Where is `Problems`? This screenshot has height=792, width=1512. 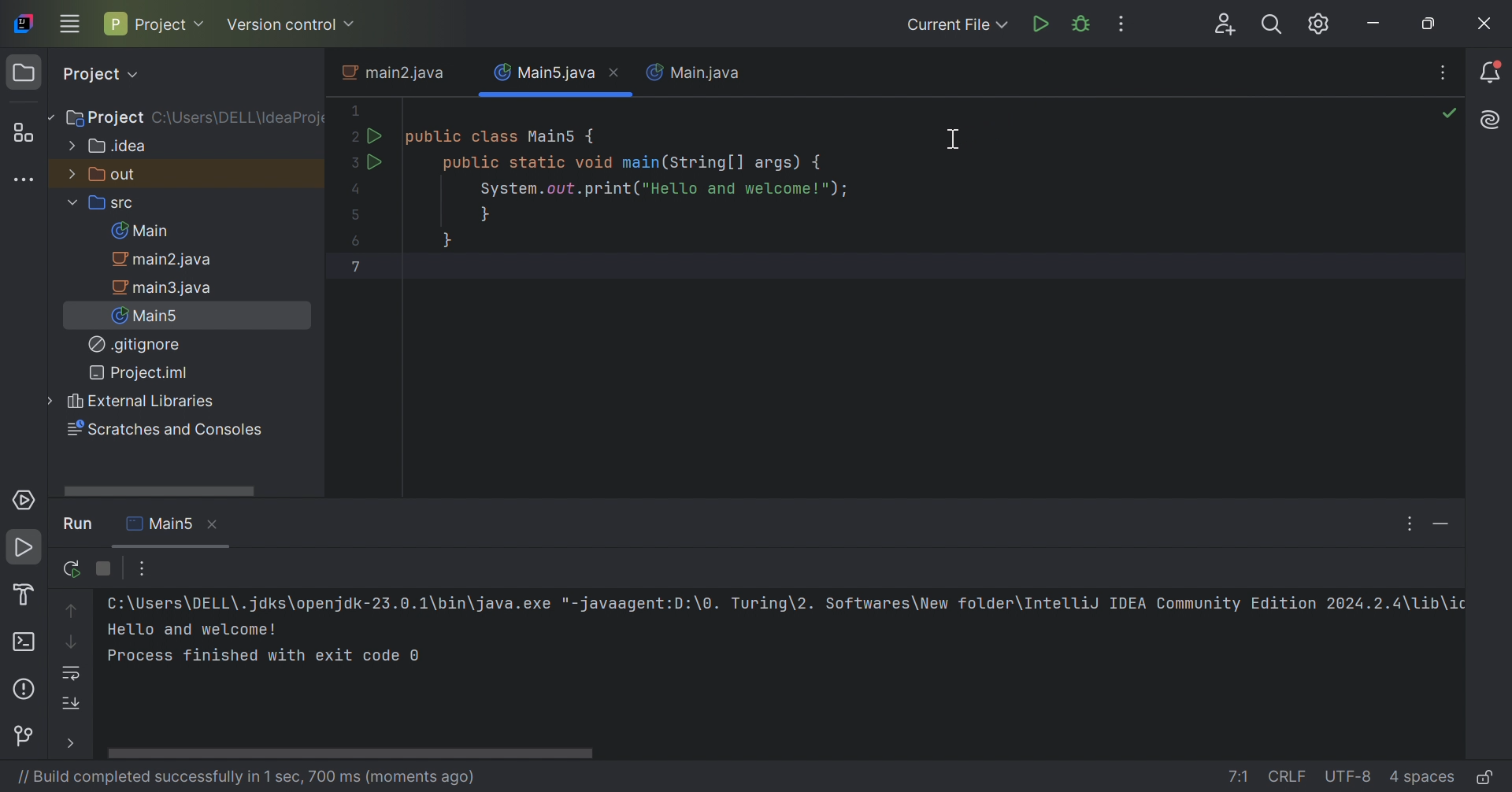 Problems is located at coordinates (26, 690).